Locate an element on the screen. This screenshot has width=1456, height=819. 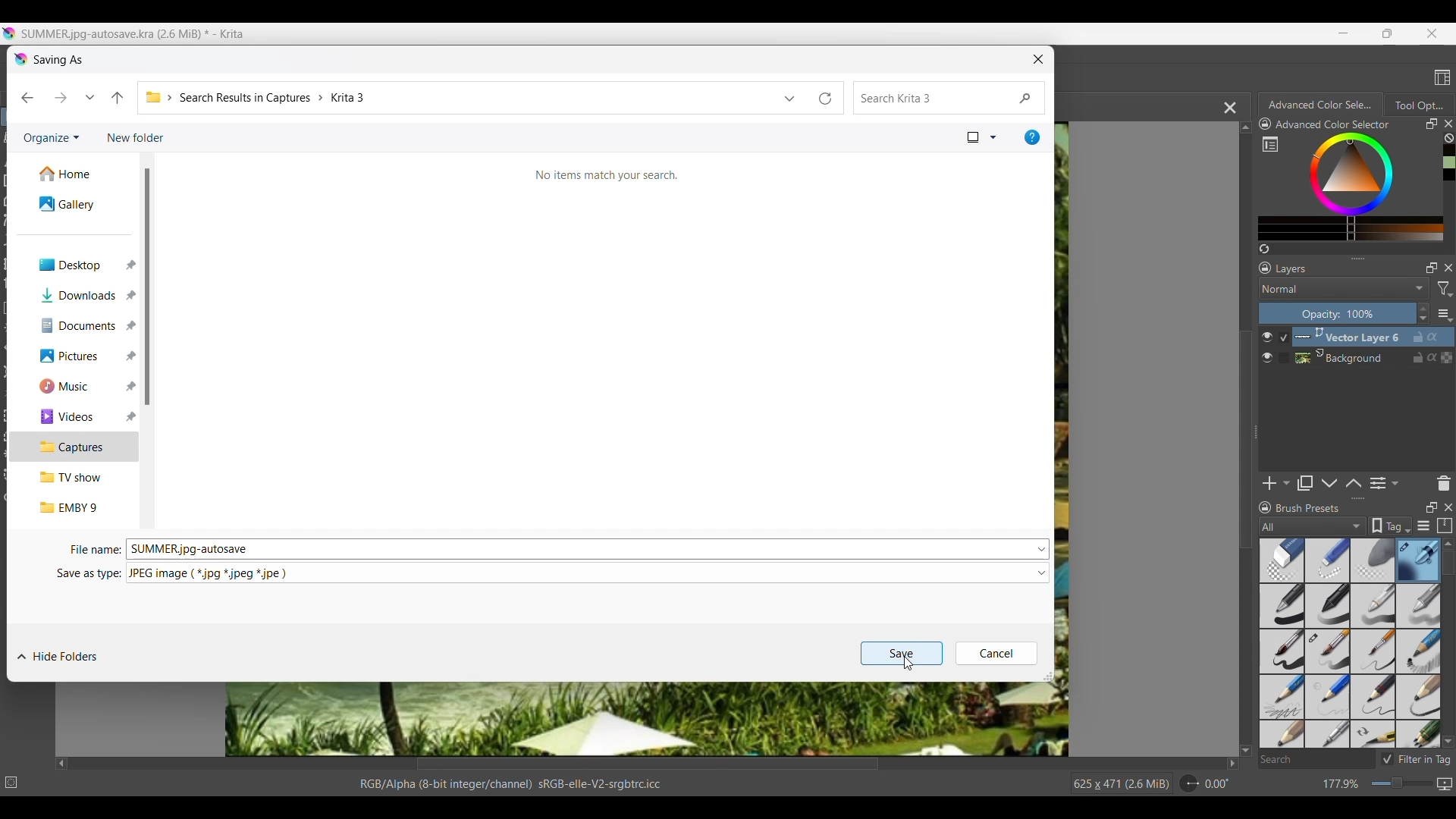
Home folder is located at coordinates (77, 174).